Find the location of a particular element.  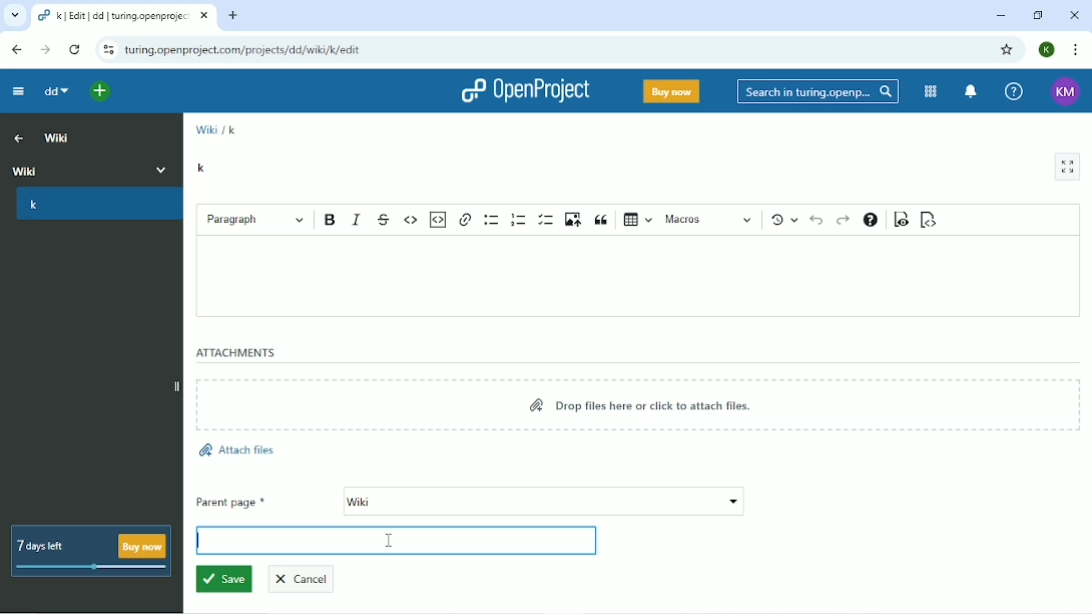

Account is located at coordinates (1063, 90).